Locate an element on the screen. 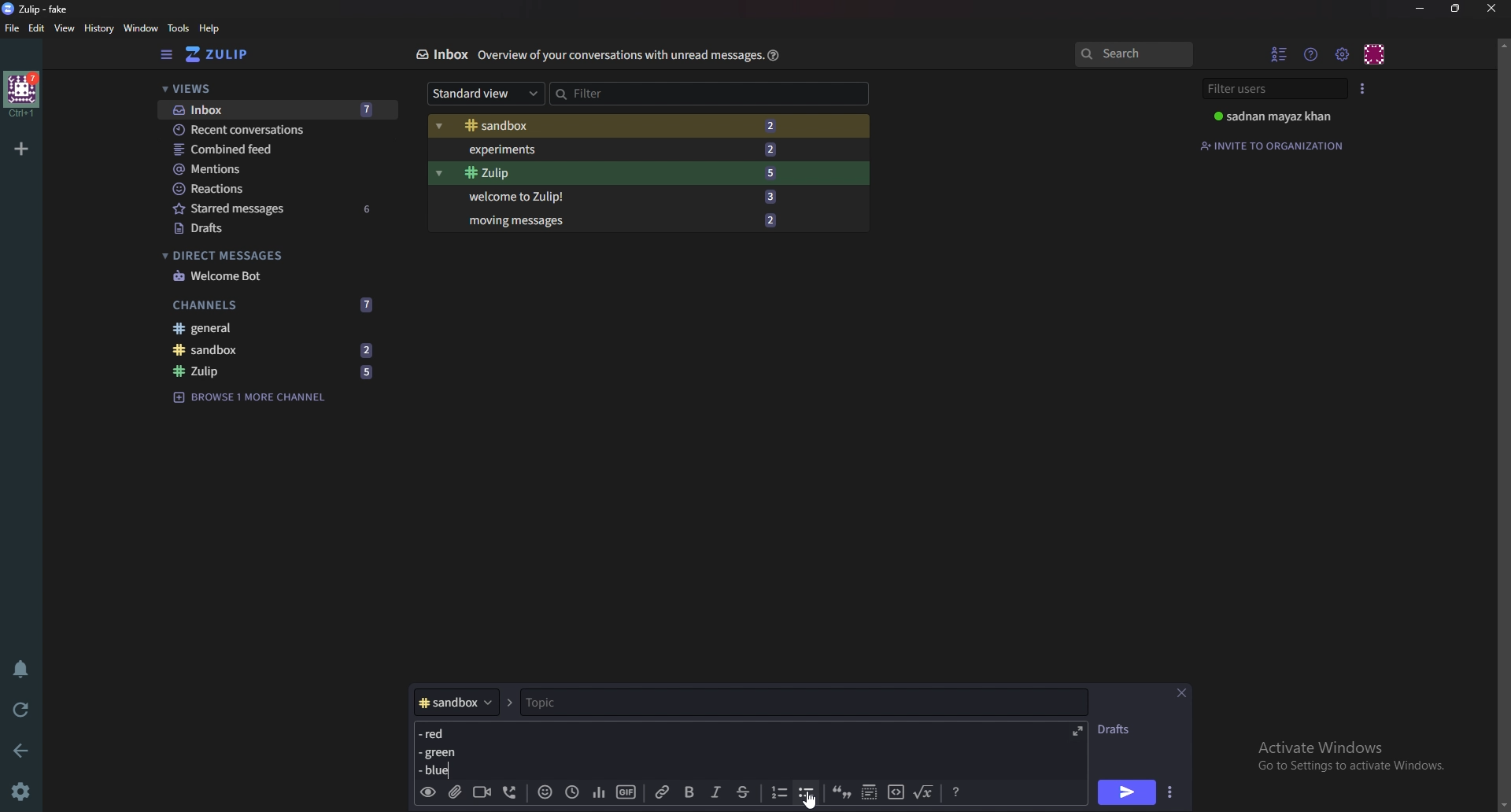  Cursor is located at coordinates (814, 799).